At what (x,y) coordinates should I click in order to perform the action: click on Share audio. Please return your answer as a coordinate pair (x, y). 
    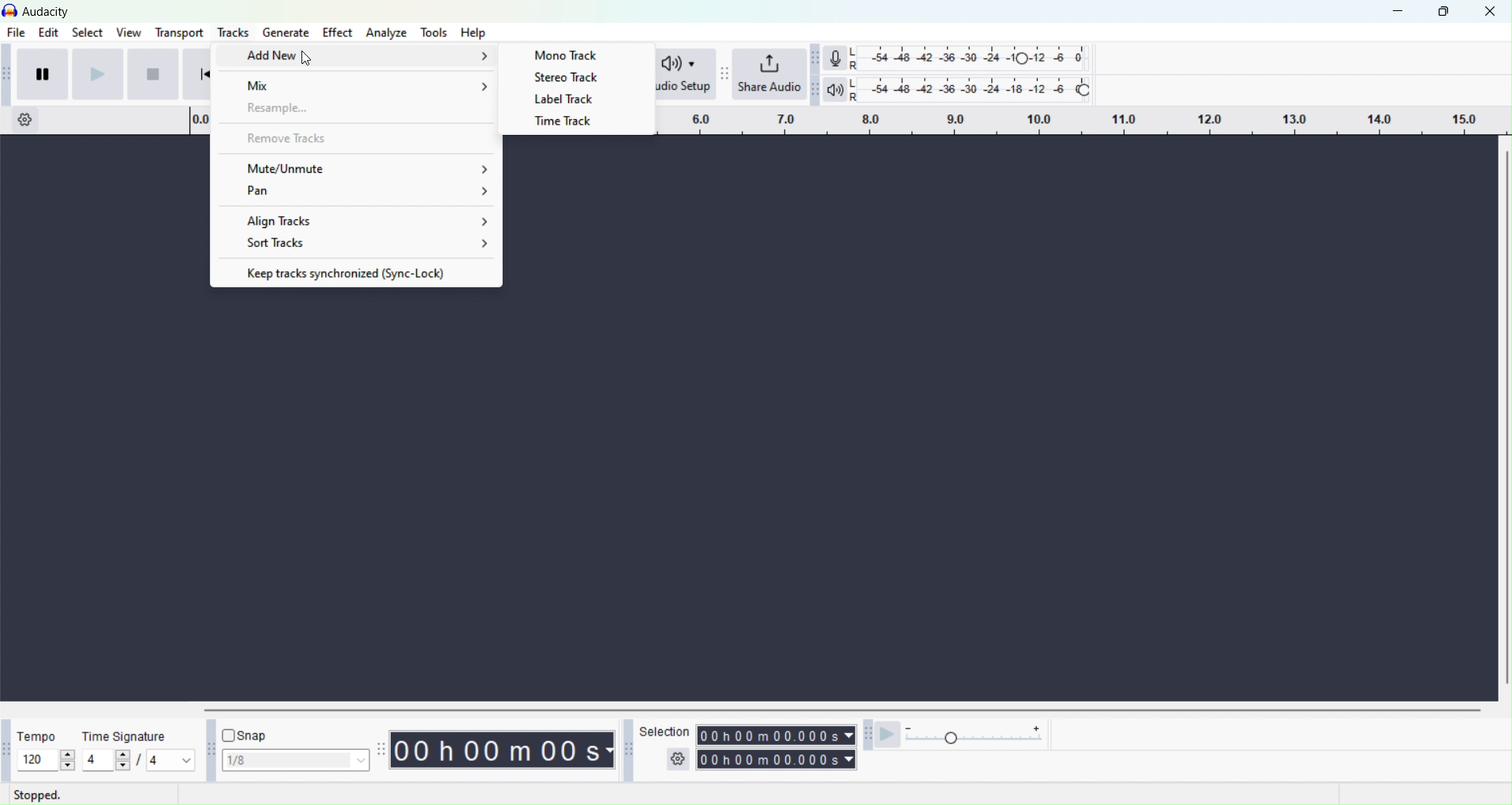
    Looking at the image, I should click on (771, 75).